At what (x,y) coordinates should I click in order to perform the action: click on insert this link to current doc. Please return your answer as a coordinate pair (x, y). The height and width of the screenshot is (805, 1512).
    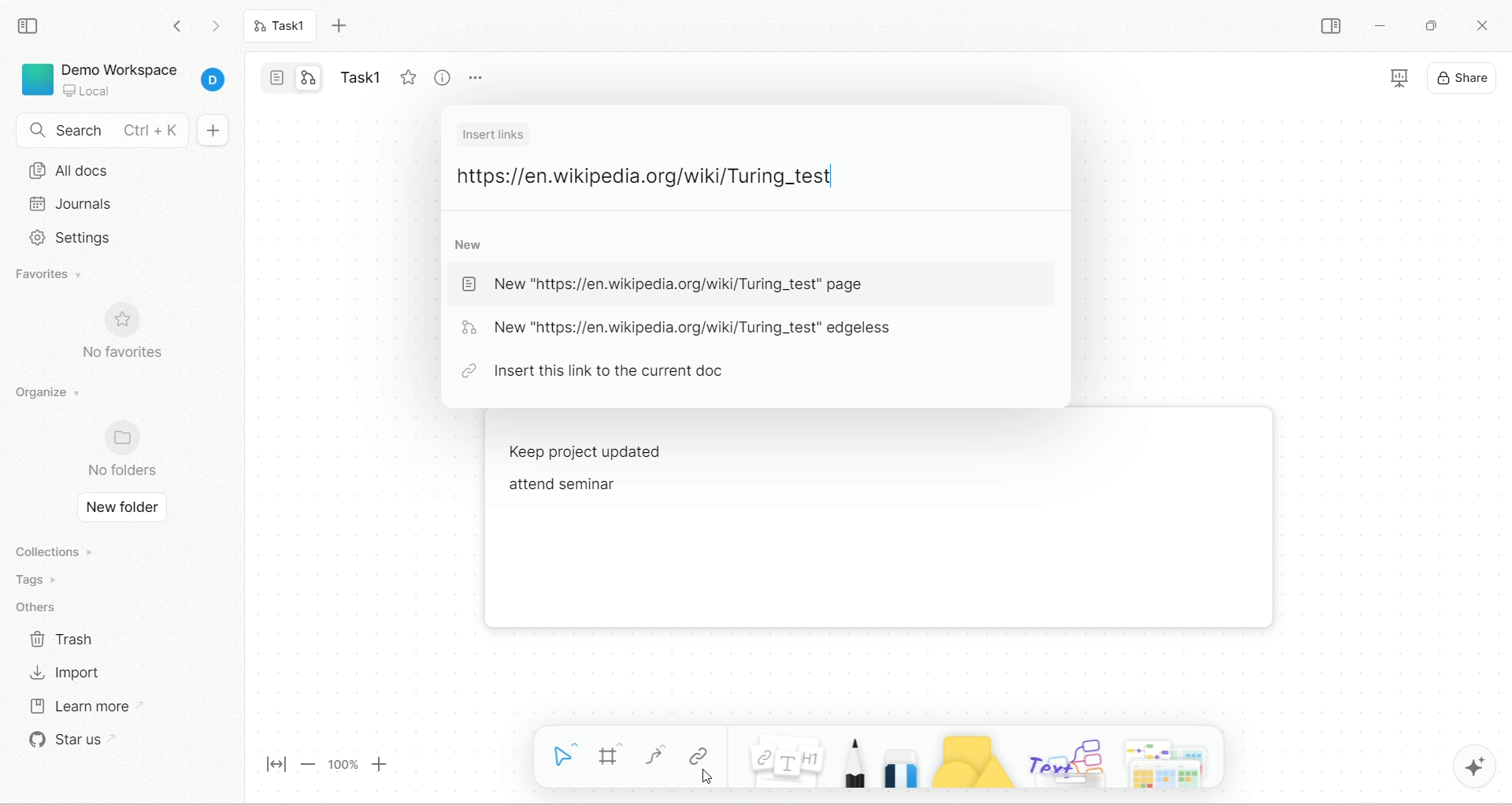
    Looking at the image, I should click on (599, 371).